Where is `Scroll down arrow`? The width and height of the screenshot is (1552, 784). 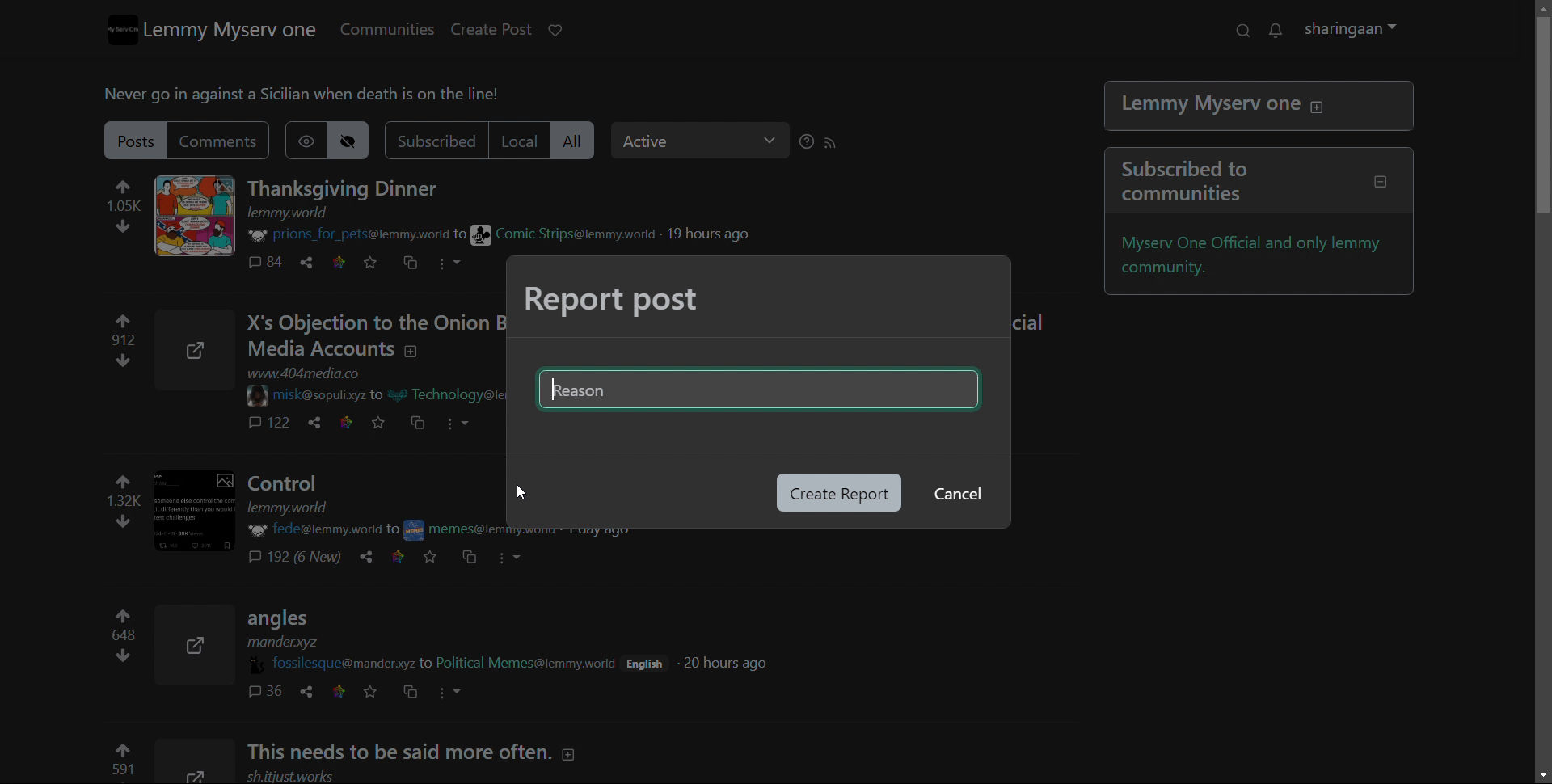
Scroll down arrow is located at coordinates (1537, 773).